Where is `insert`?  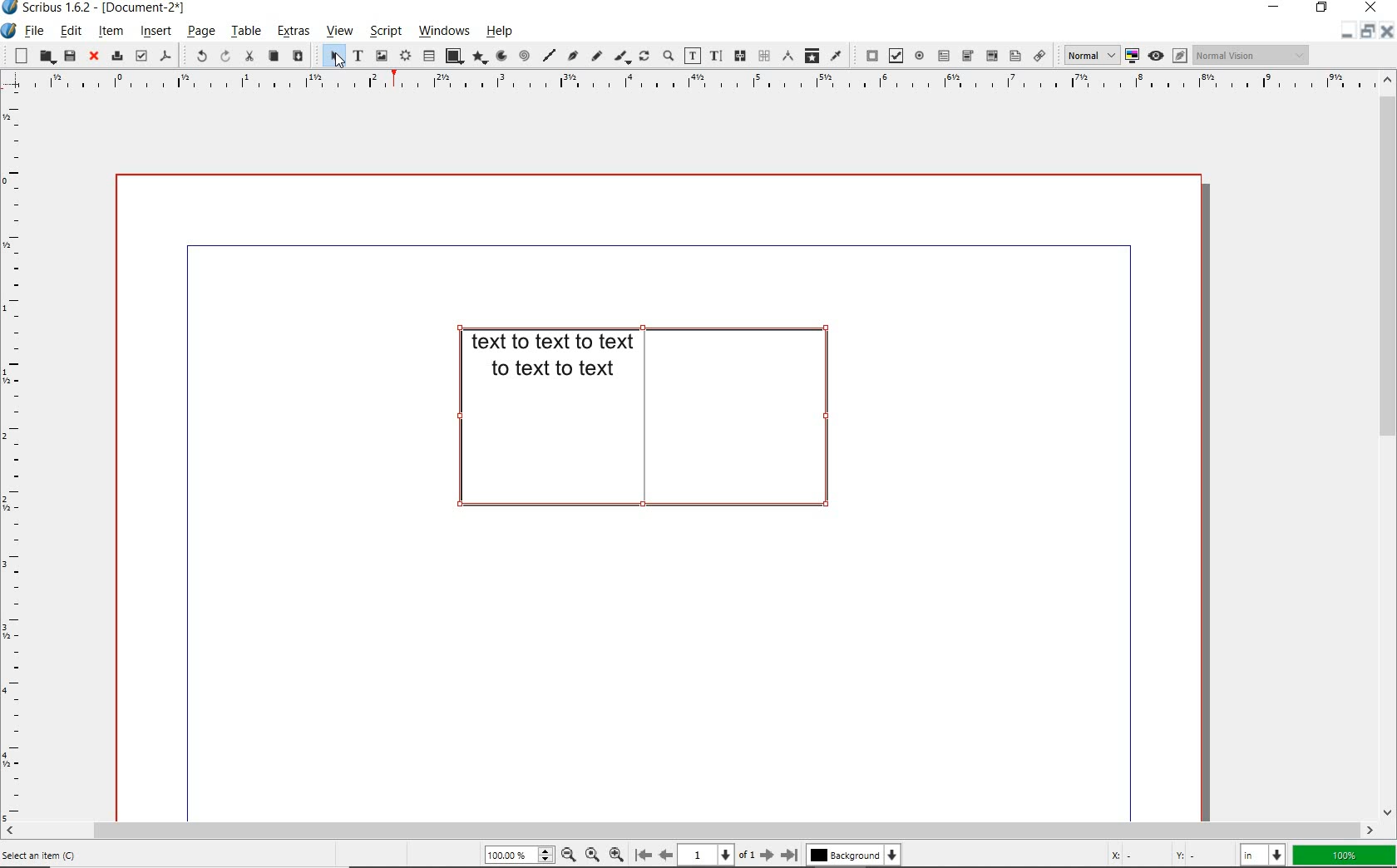
insert is located at coordinates (155, 31).